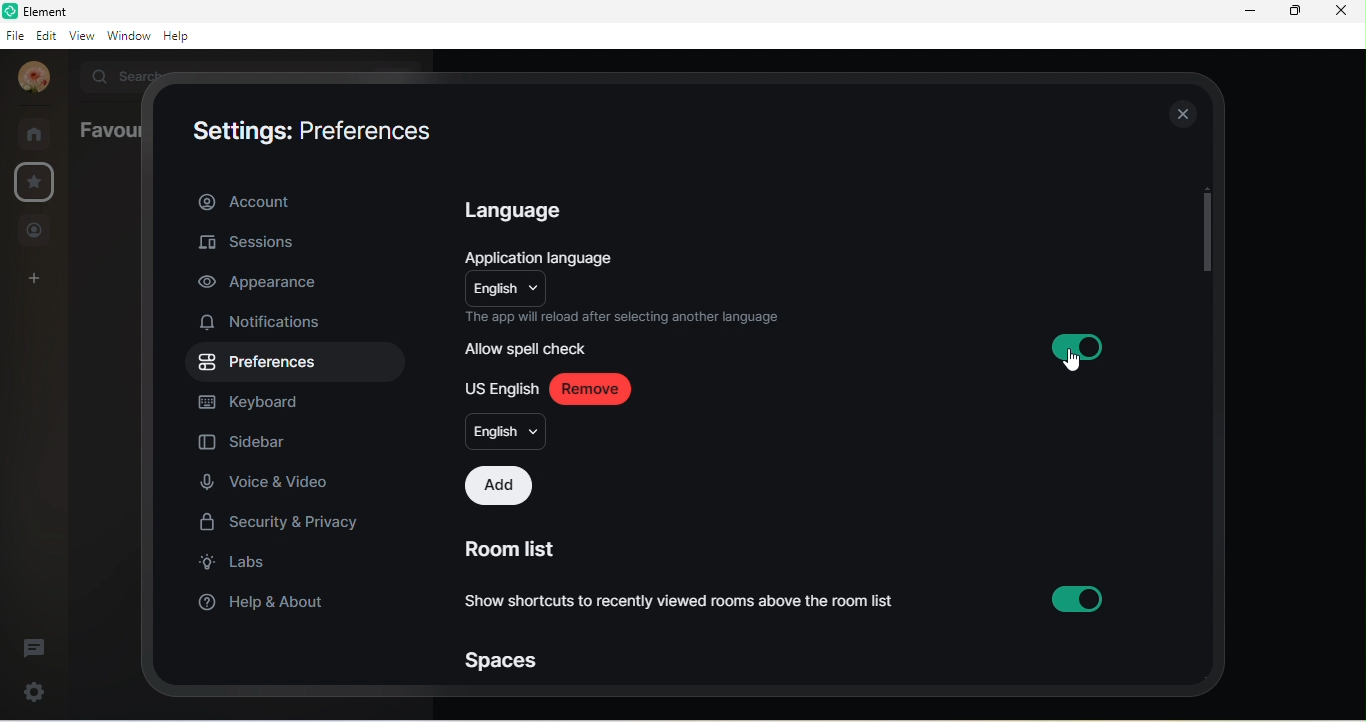 The width and height of the screenshot is (1366, 722). What do you see at coordinates (1179, 109) in the screenshot?
I see `close` at bounding box center [1179, 109].